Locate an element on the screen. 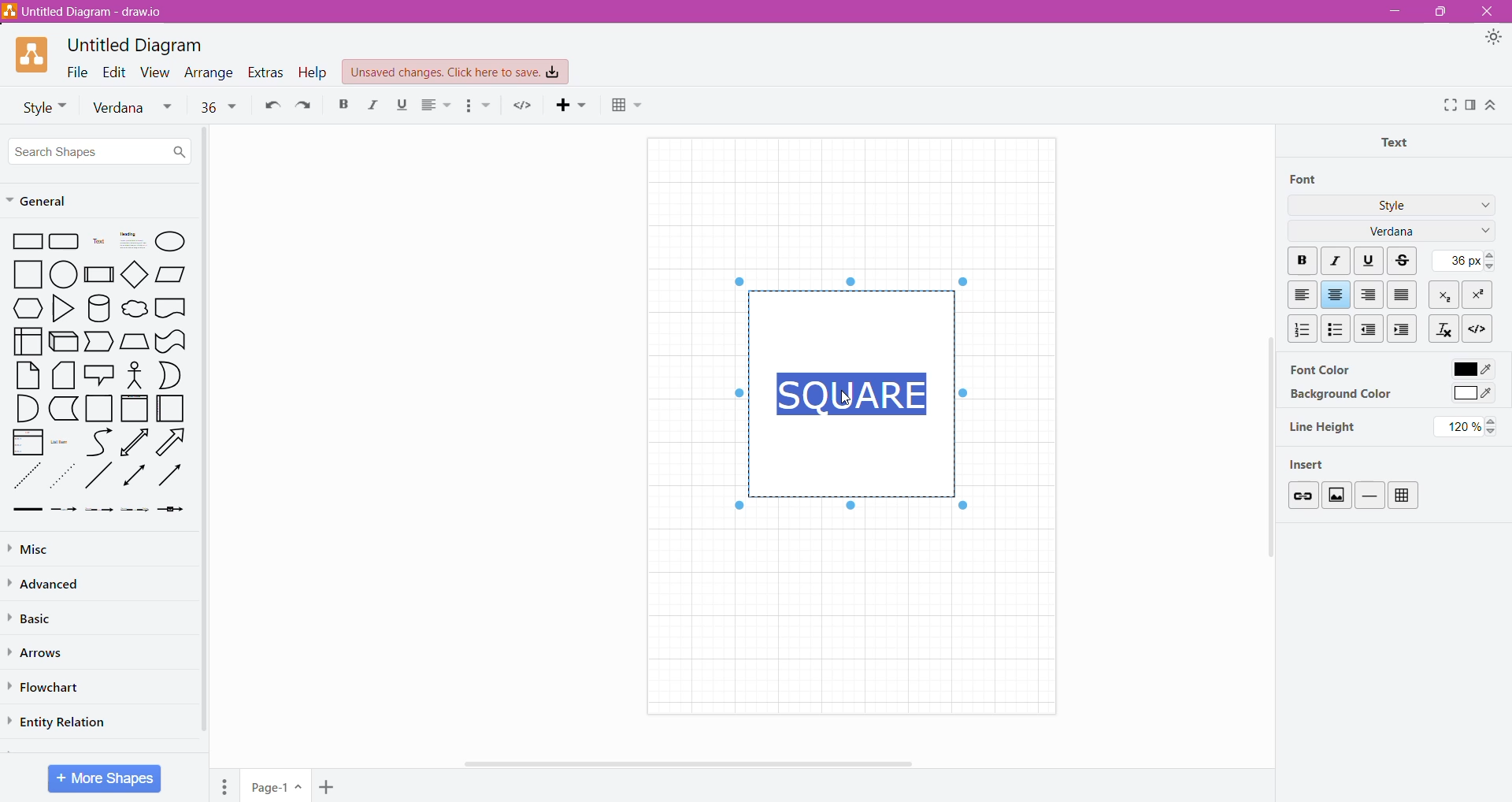 This screenshot has width=1512, height=802. Curved Rectangle is located at coordinates (170, 340).